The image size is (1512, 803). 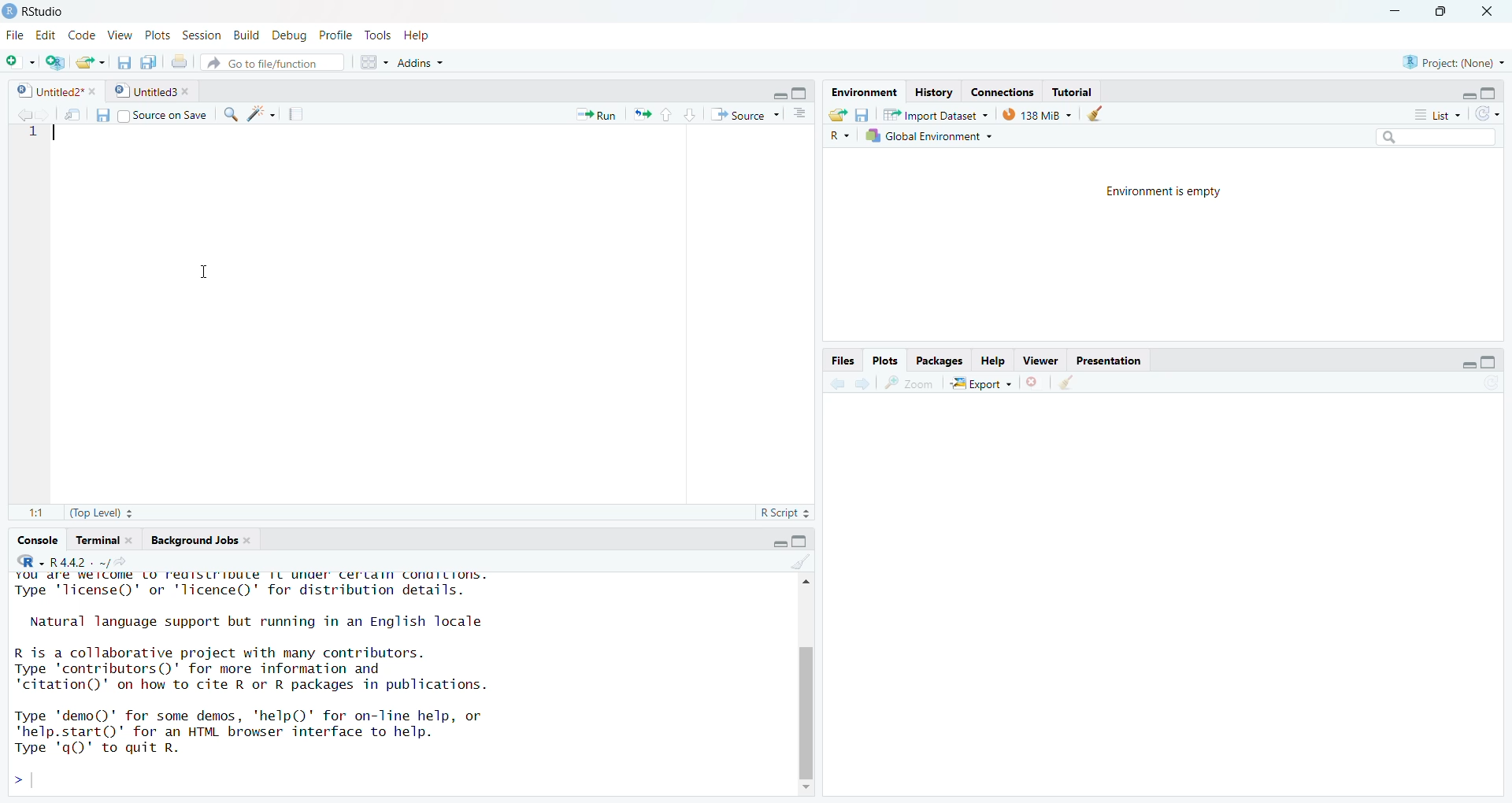 I want to click on 1:1, so click(x=27, y=513).